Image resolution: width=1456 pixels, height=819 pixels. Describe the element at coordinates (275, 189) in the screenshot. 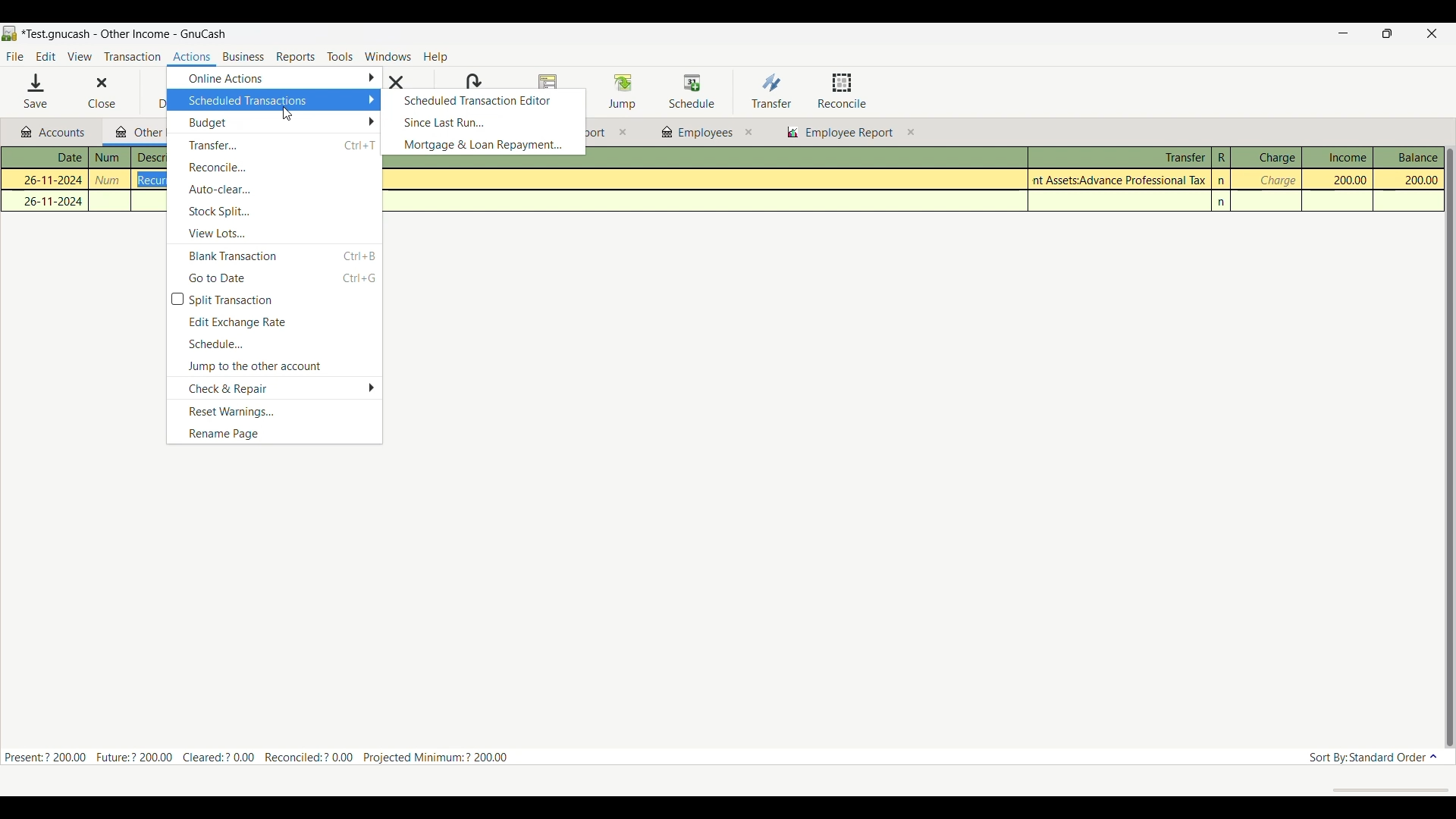

I see `Auto clear` at that location.